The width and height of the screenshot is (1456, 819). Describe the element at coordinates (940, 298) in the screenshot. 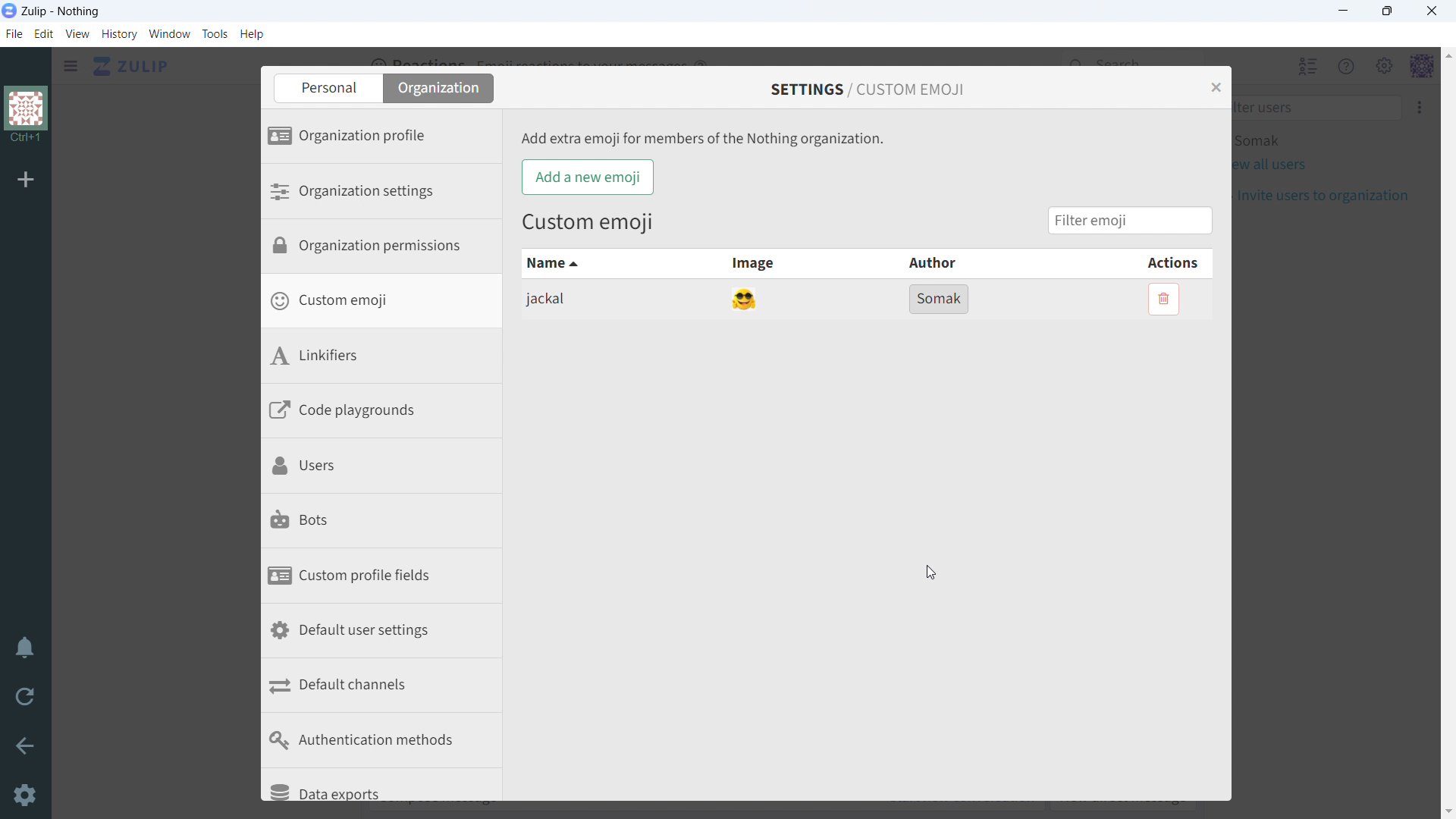

I see `somak` at that location.